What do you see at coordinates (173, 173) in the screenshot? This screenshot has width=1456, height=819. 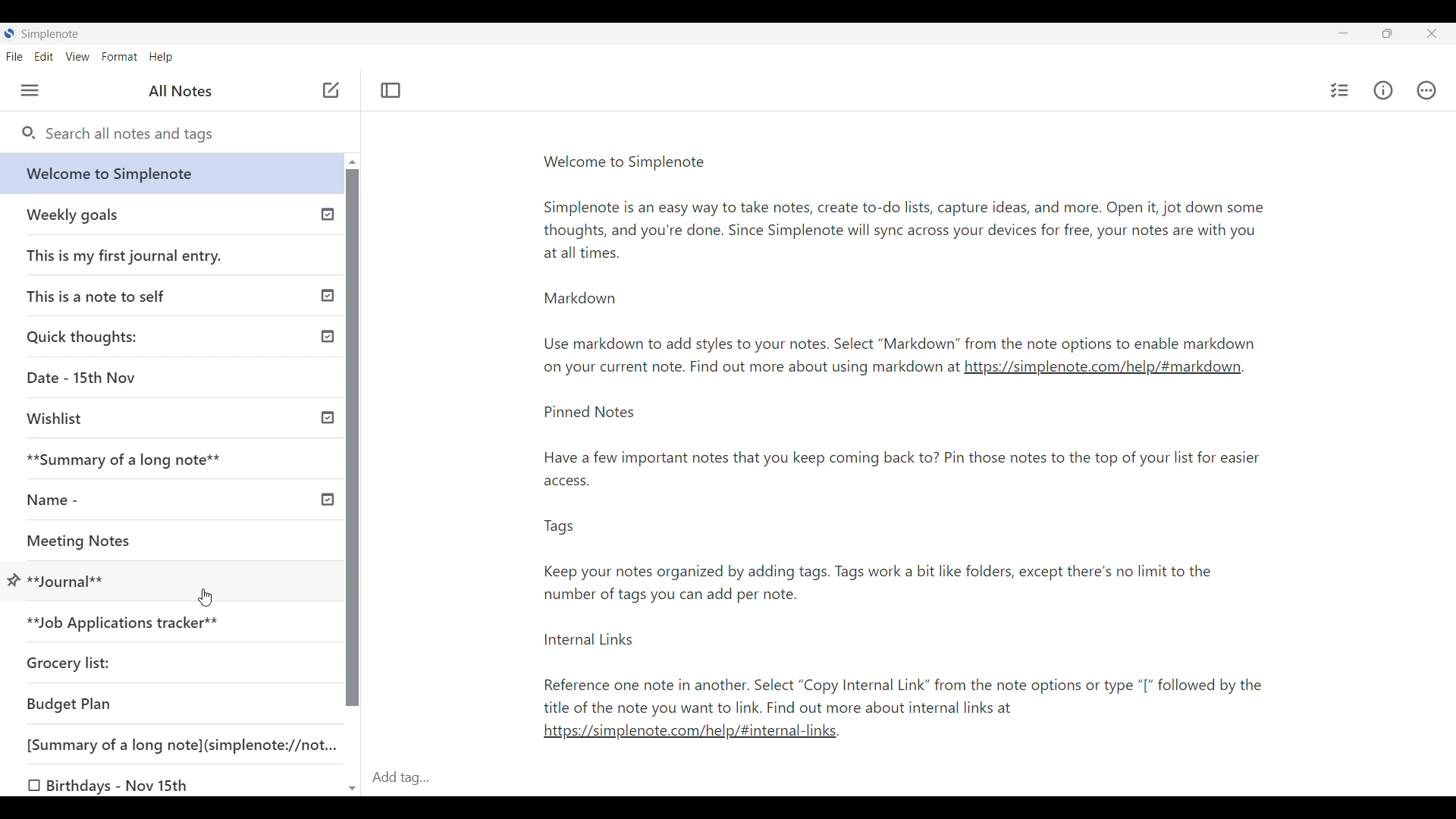 I see `Welcome note by SimpleNote` at bounding box center [173, 173].